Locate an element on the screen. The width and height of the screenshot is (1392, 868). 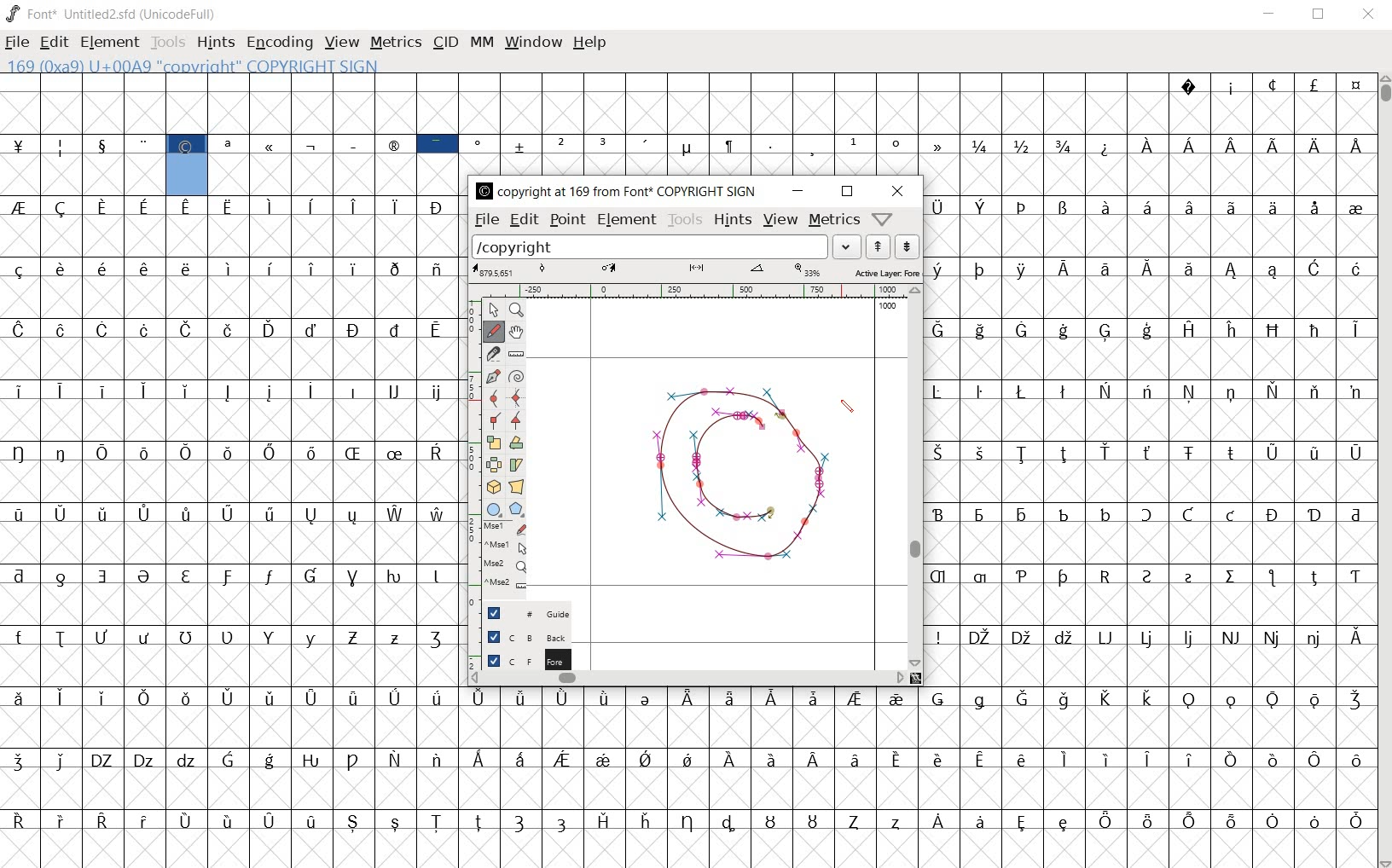
foreground layer is located at coordinates (519, 660).